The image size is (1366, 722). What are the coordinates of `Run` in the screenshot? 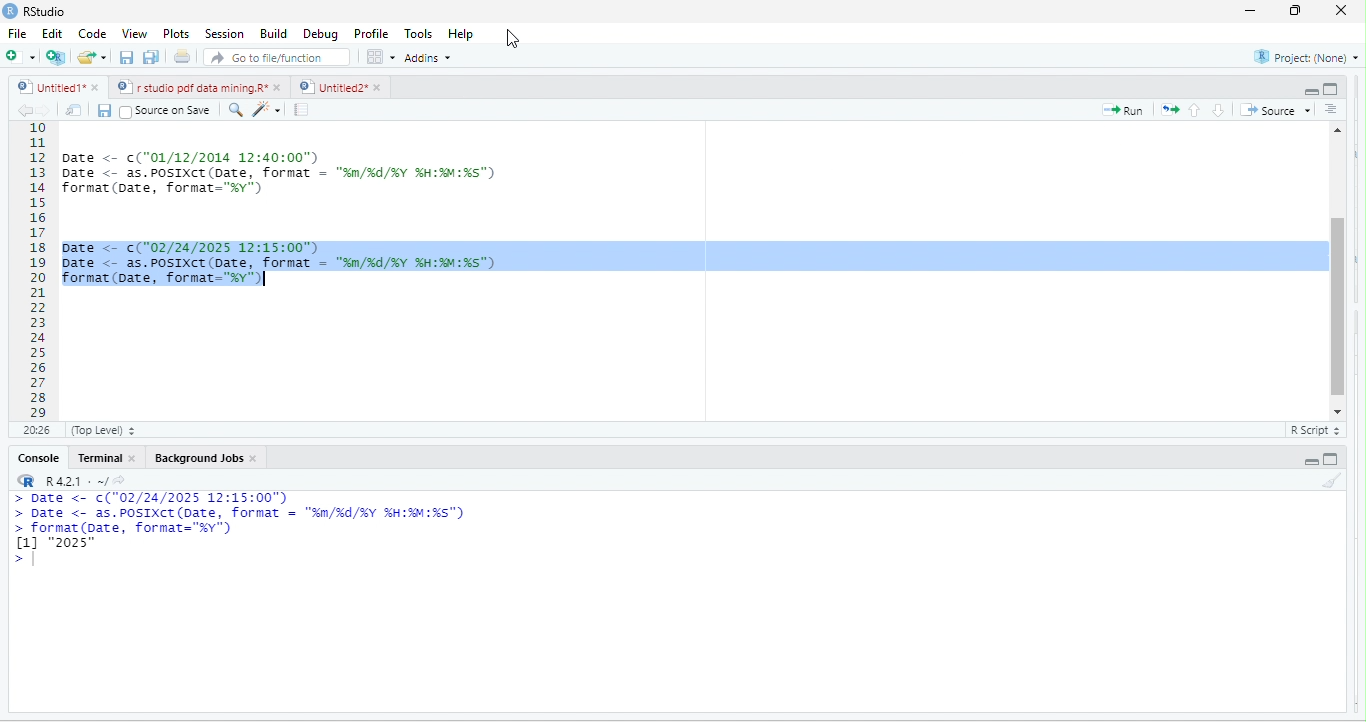 It's located at (1127, 111).